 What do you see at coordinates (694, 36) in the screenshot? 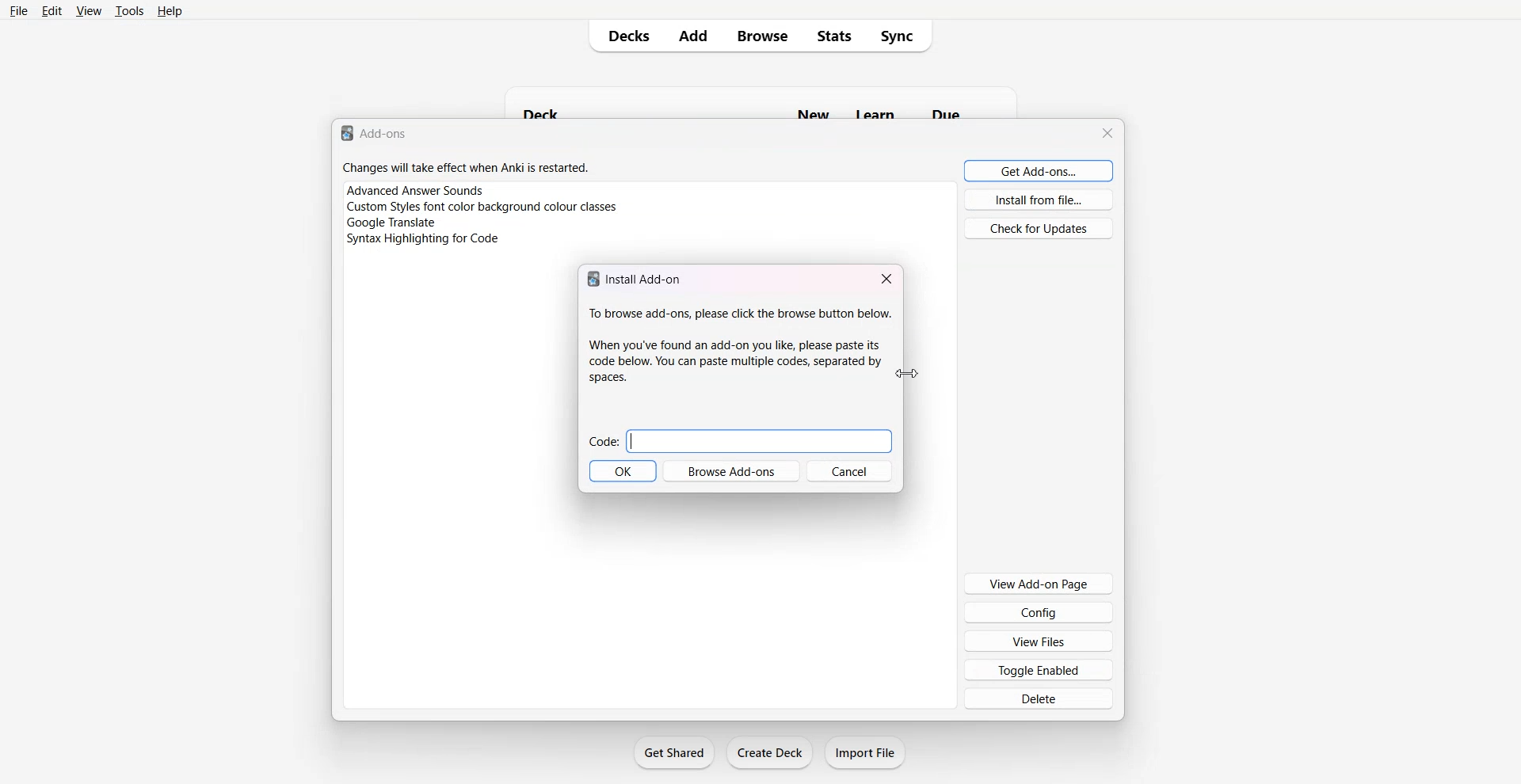
I see `Add` at bounding box center [694, 36].